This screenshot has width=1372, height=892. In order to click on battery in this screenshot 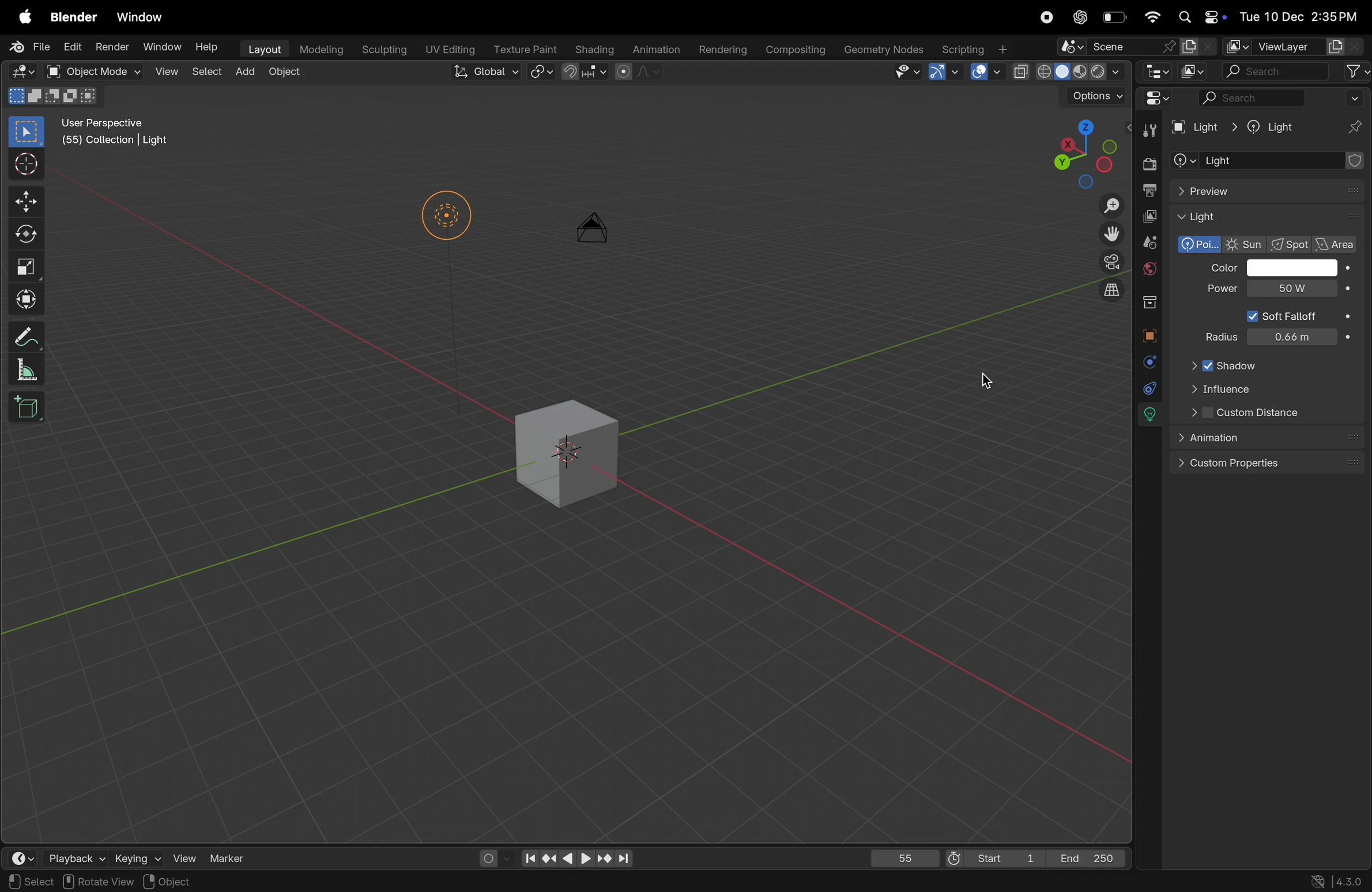, I will do `click(1115, 16)`.